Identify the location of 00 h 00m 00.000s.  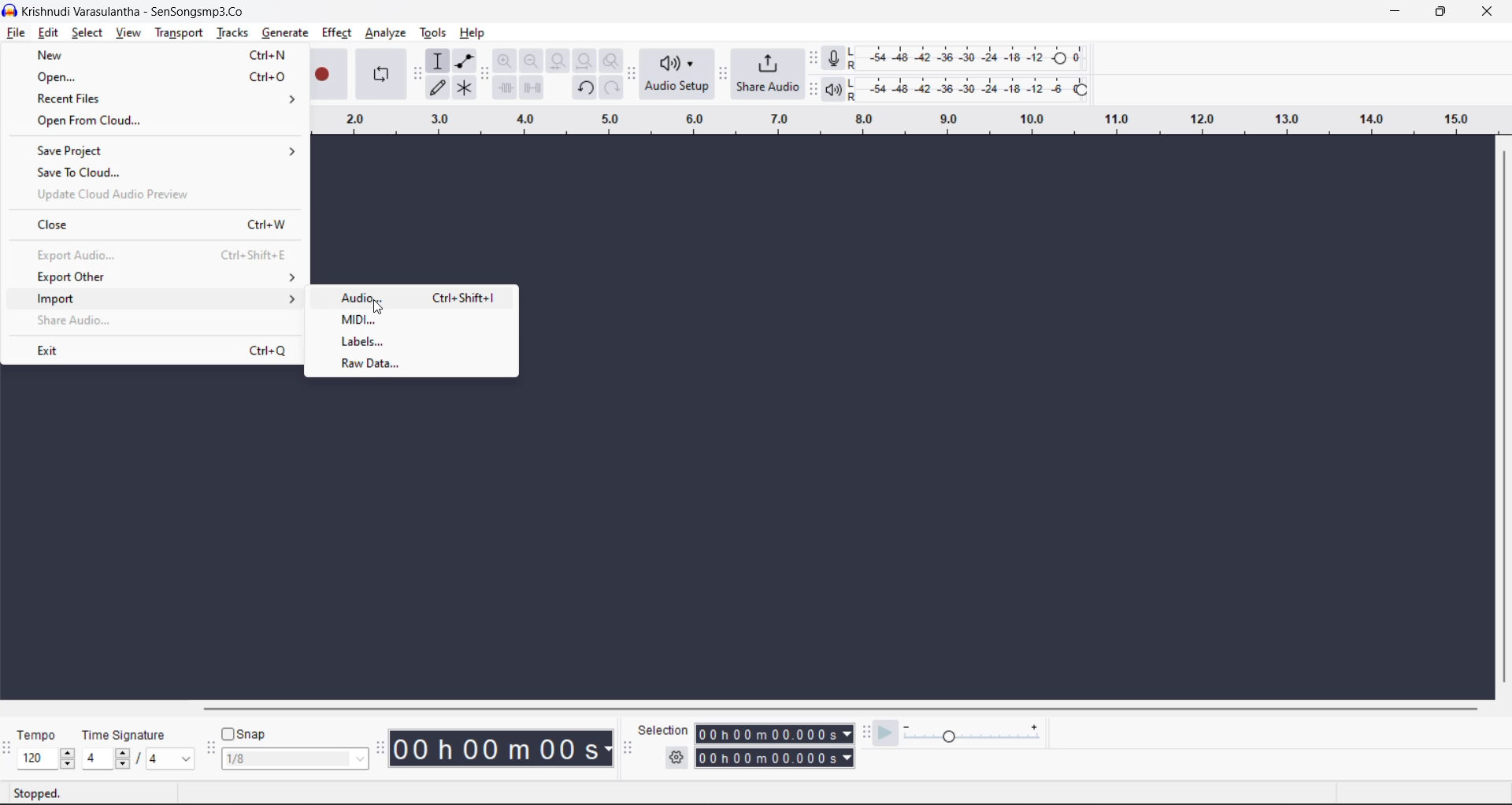
(774, 734).